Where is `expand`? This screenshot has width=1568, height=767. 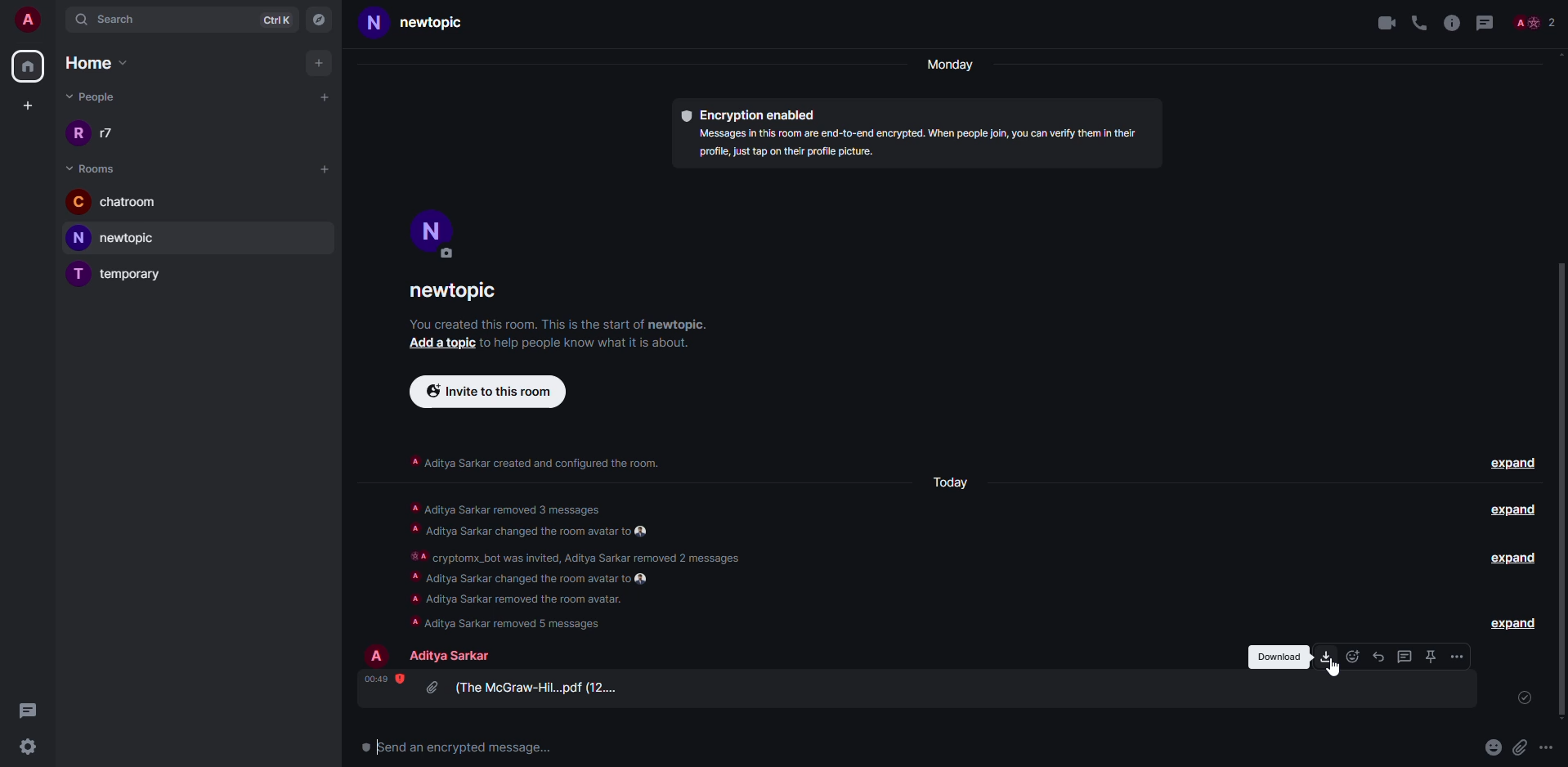
expand is located at coordinates (1514, 558).